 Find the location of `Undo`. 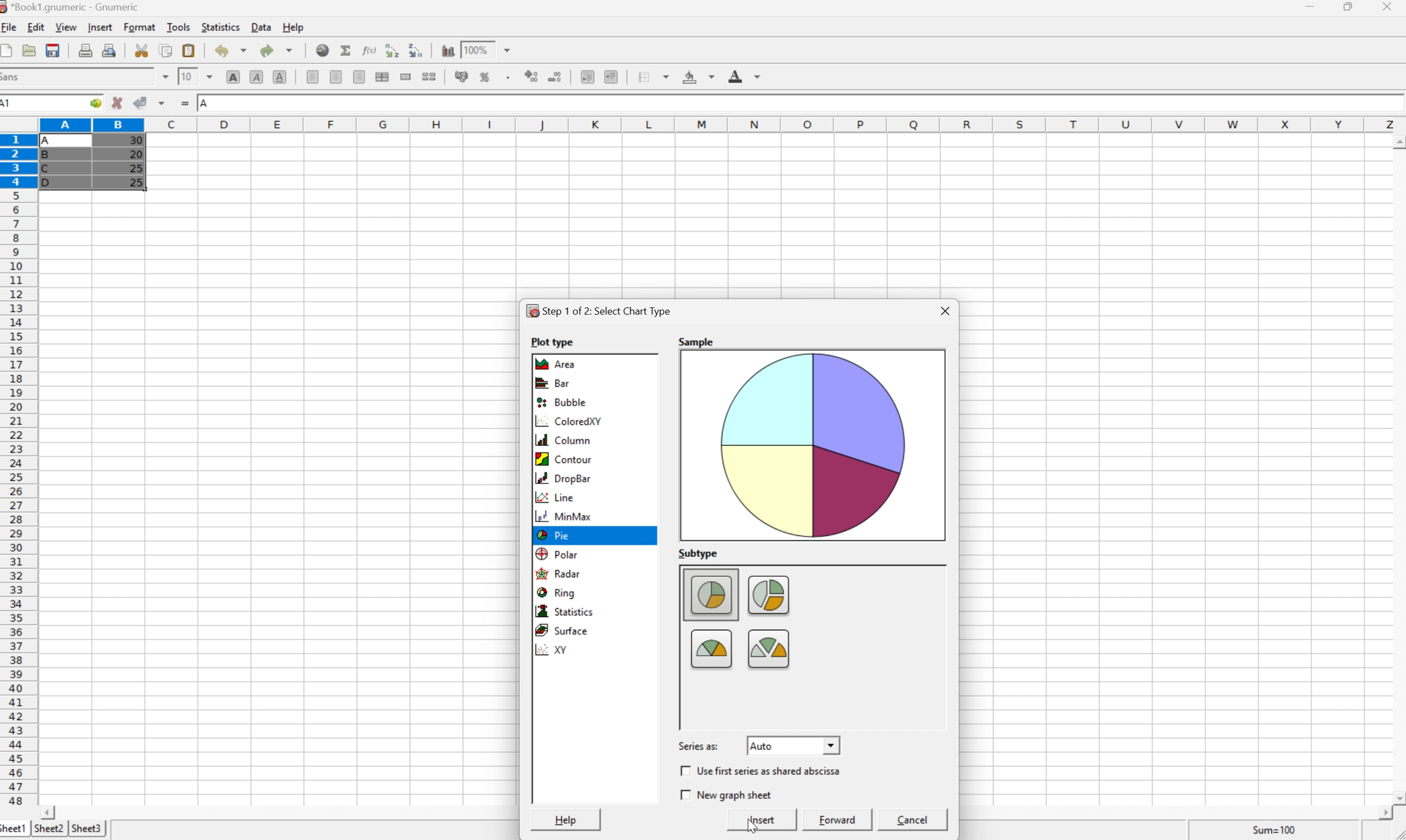

Undo is located at coordinates (230, 50).